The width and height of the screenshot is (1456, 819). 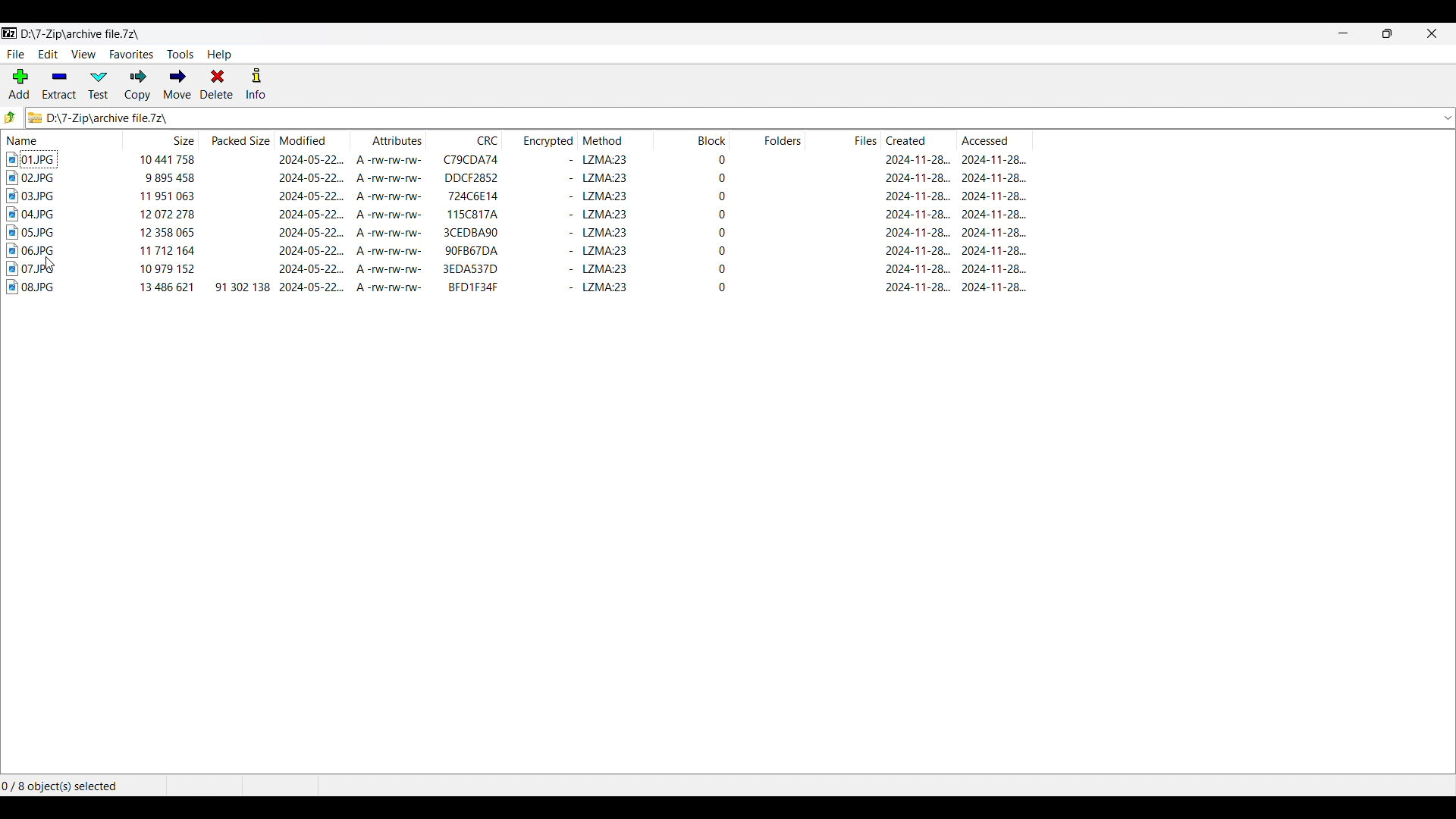 What do you see at coordinates (471, 196) in the screenshot?
I see `CRC` at bounding box center [471, 196].